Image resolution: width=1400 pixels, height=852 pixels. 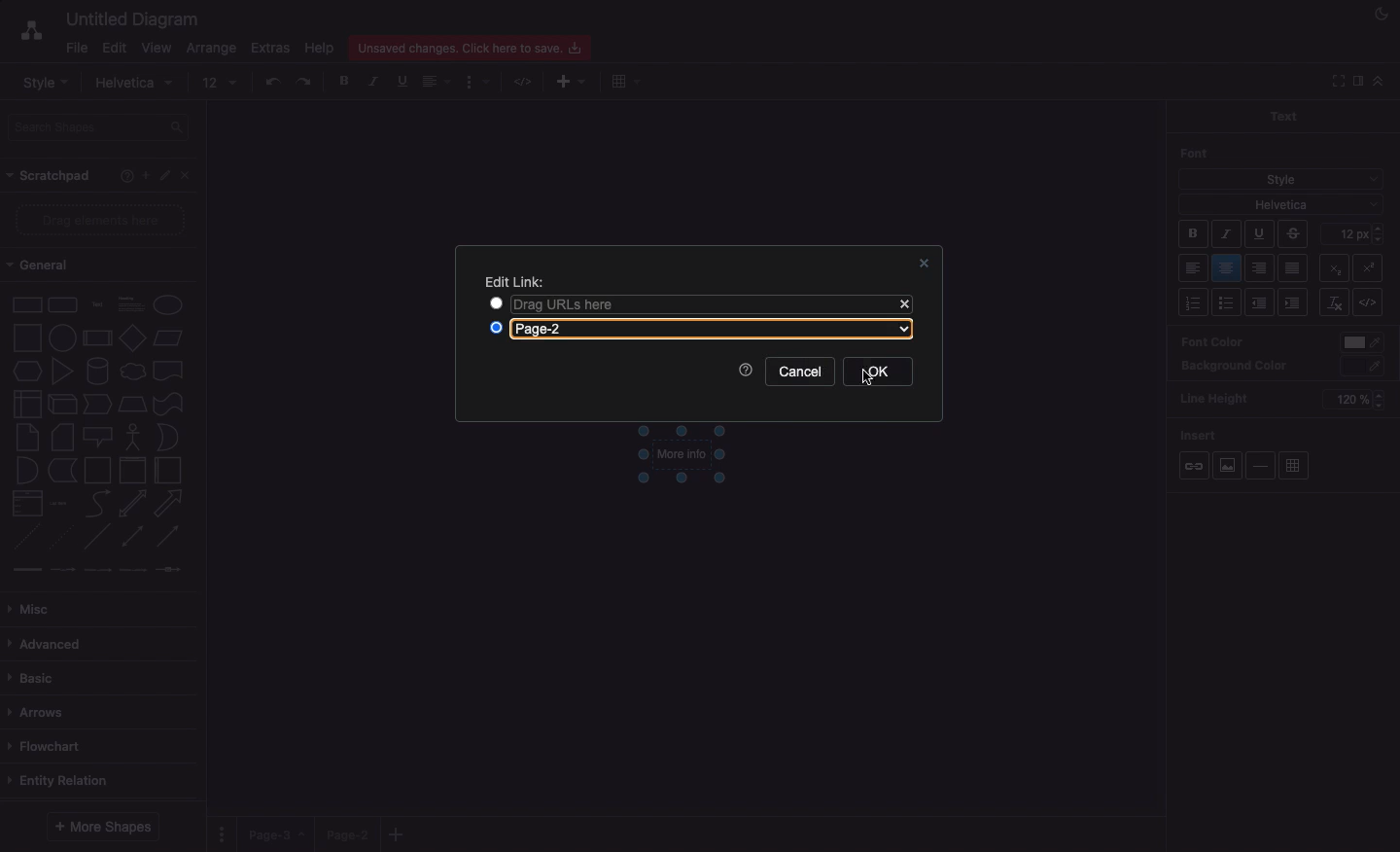 I want to click on step, so click(x=97, y=404).